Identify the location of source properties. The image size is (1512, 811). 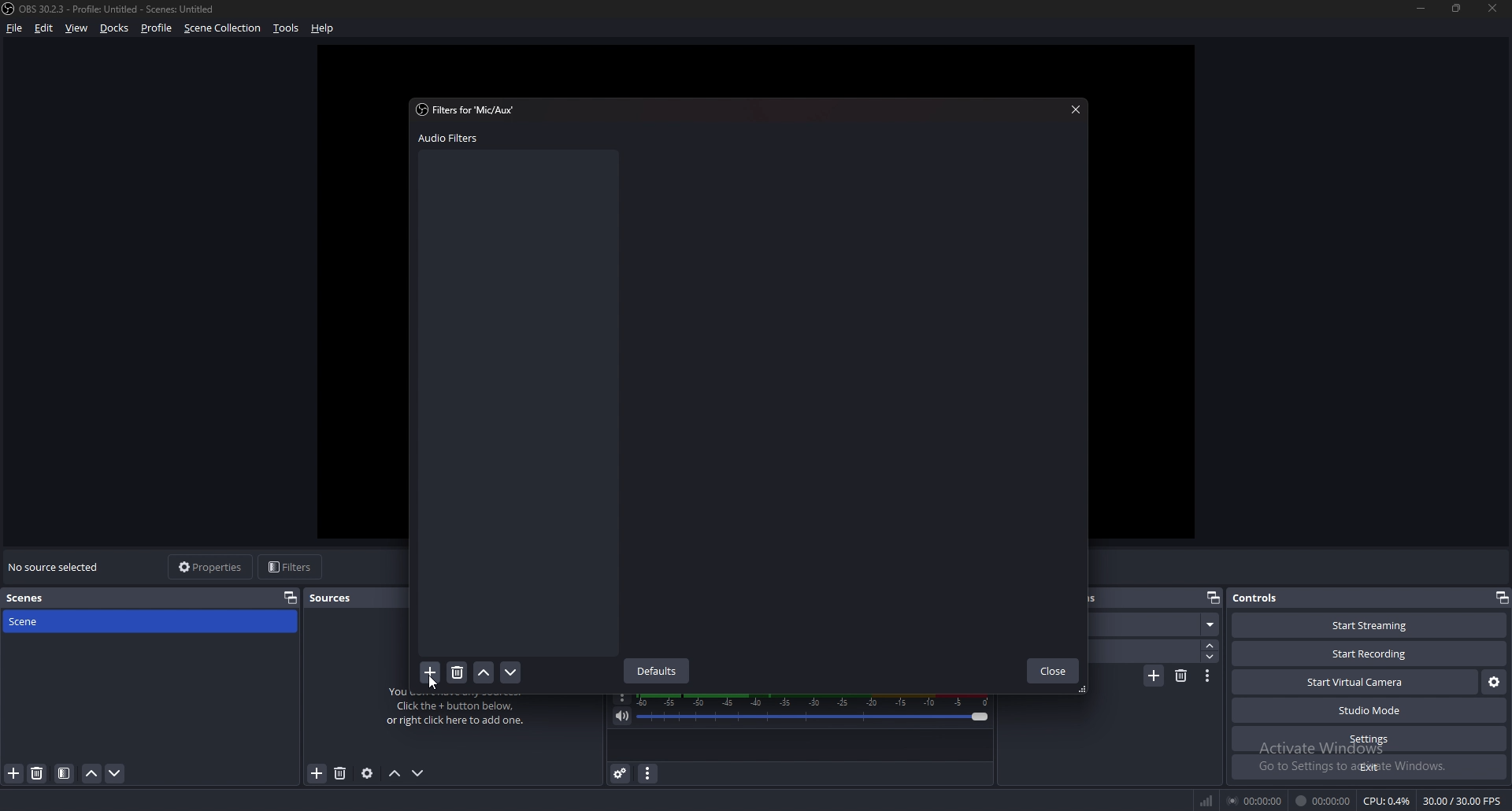
(368, 774).